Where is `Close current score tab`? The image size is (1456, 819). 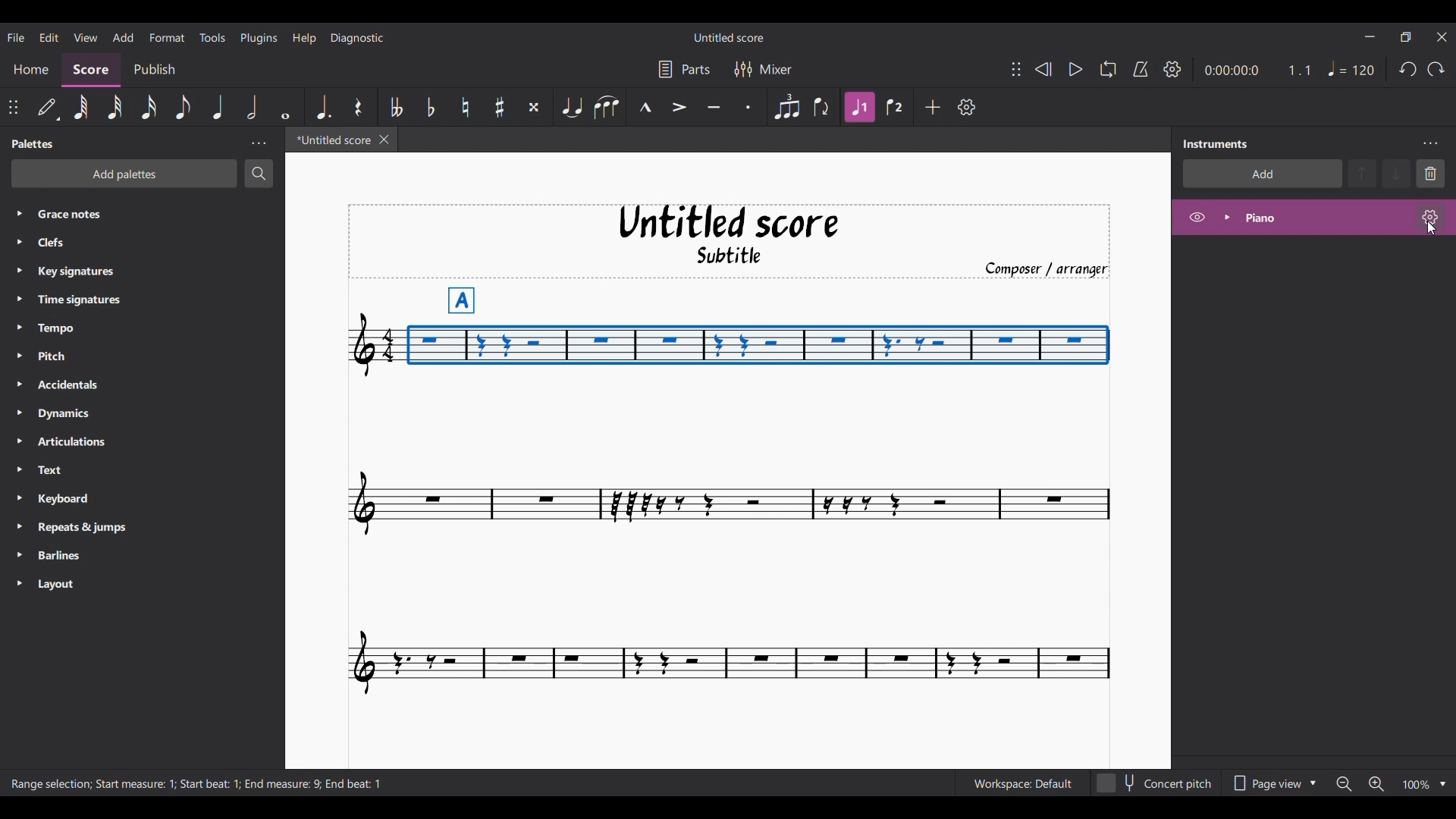 Close current score tab is located at coordinates (384, 140).